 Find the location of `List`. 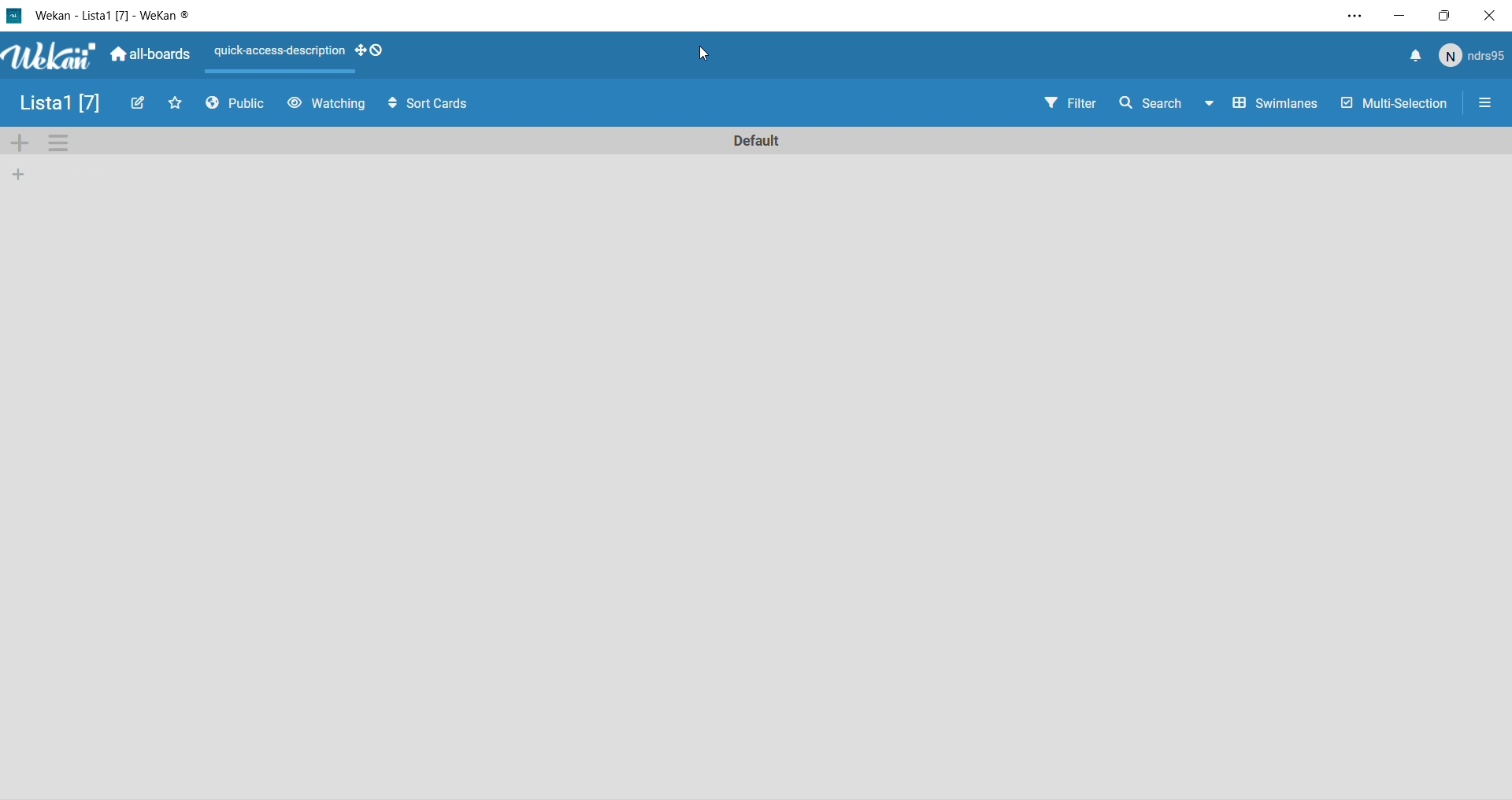

List is located at coordinates (57, 102).